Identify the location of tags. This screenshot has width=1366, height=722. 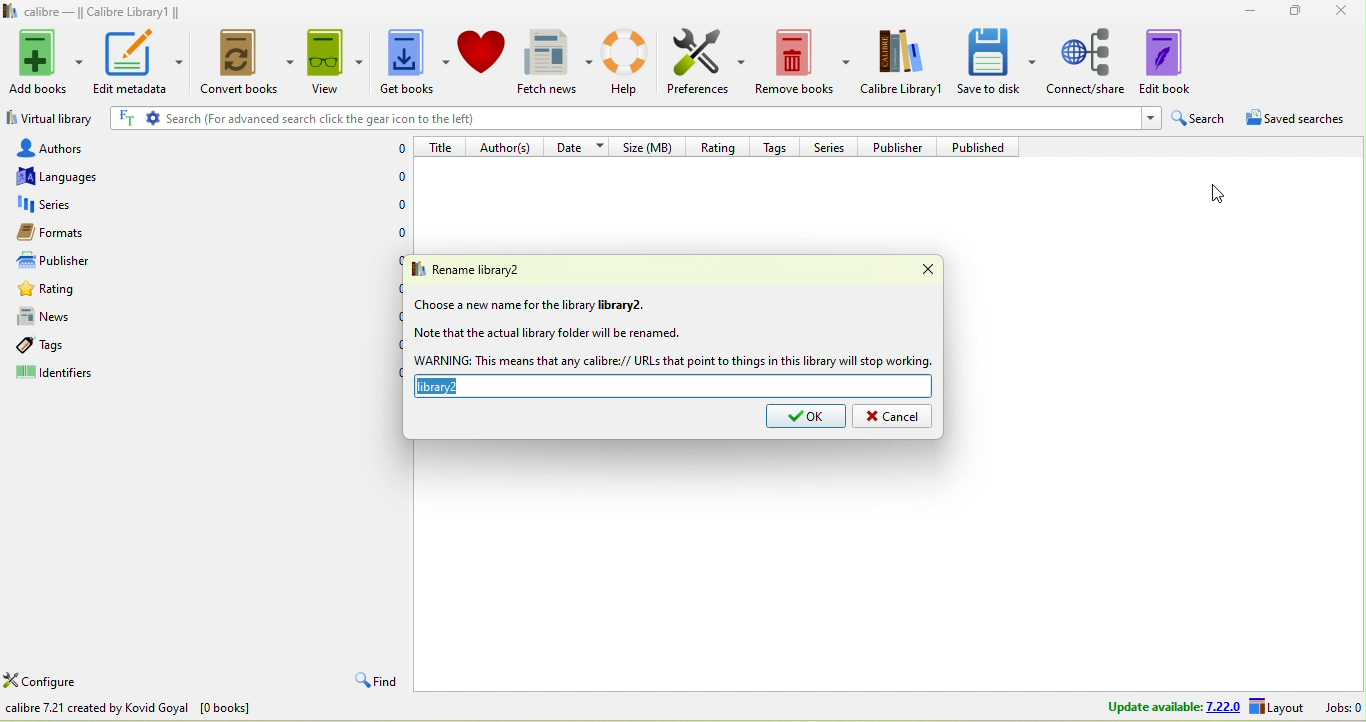
(68, 345).